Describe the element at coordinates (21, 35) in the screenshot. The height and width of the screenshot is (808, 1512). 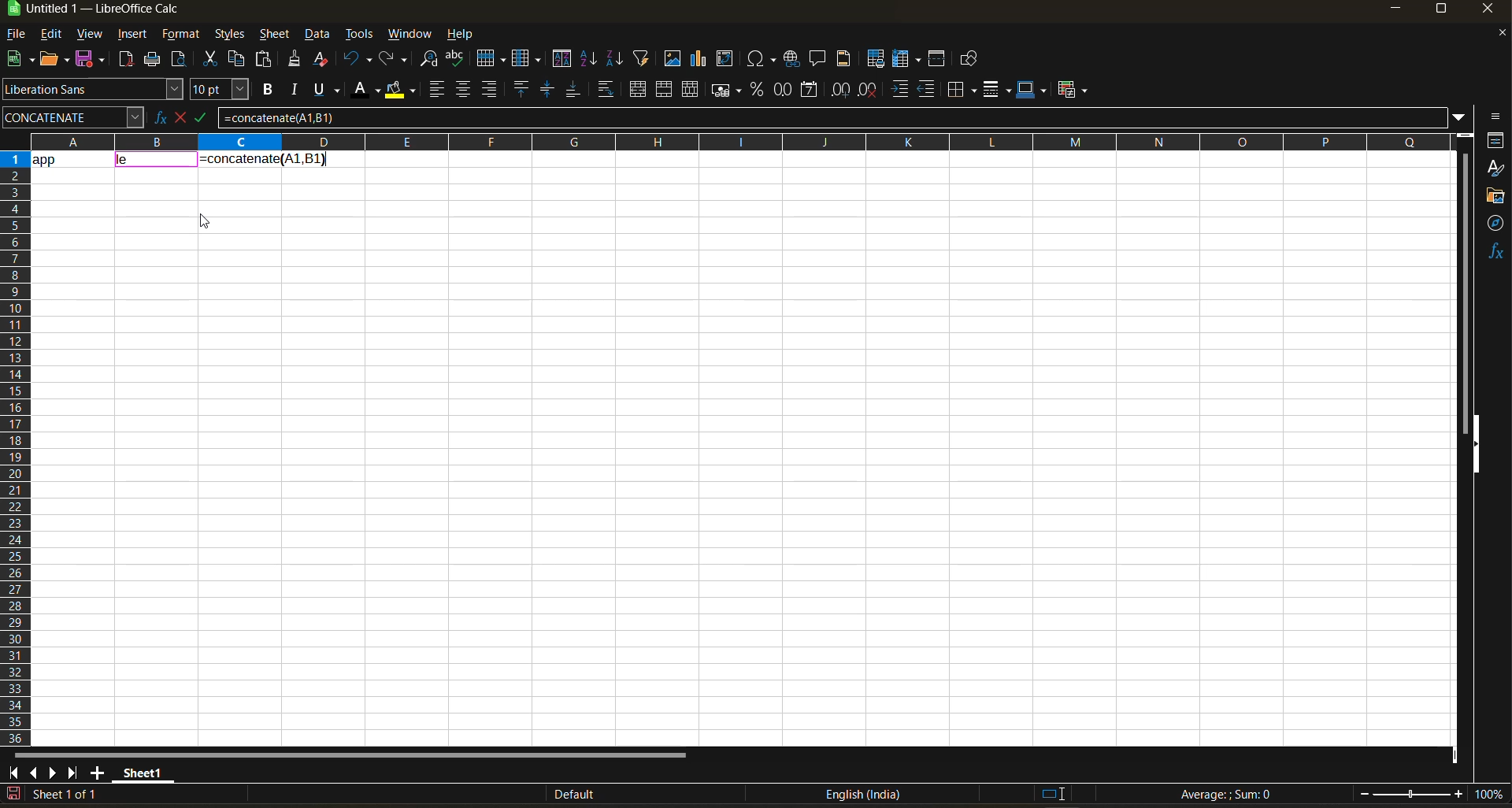
I see `file` at that location.